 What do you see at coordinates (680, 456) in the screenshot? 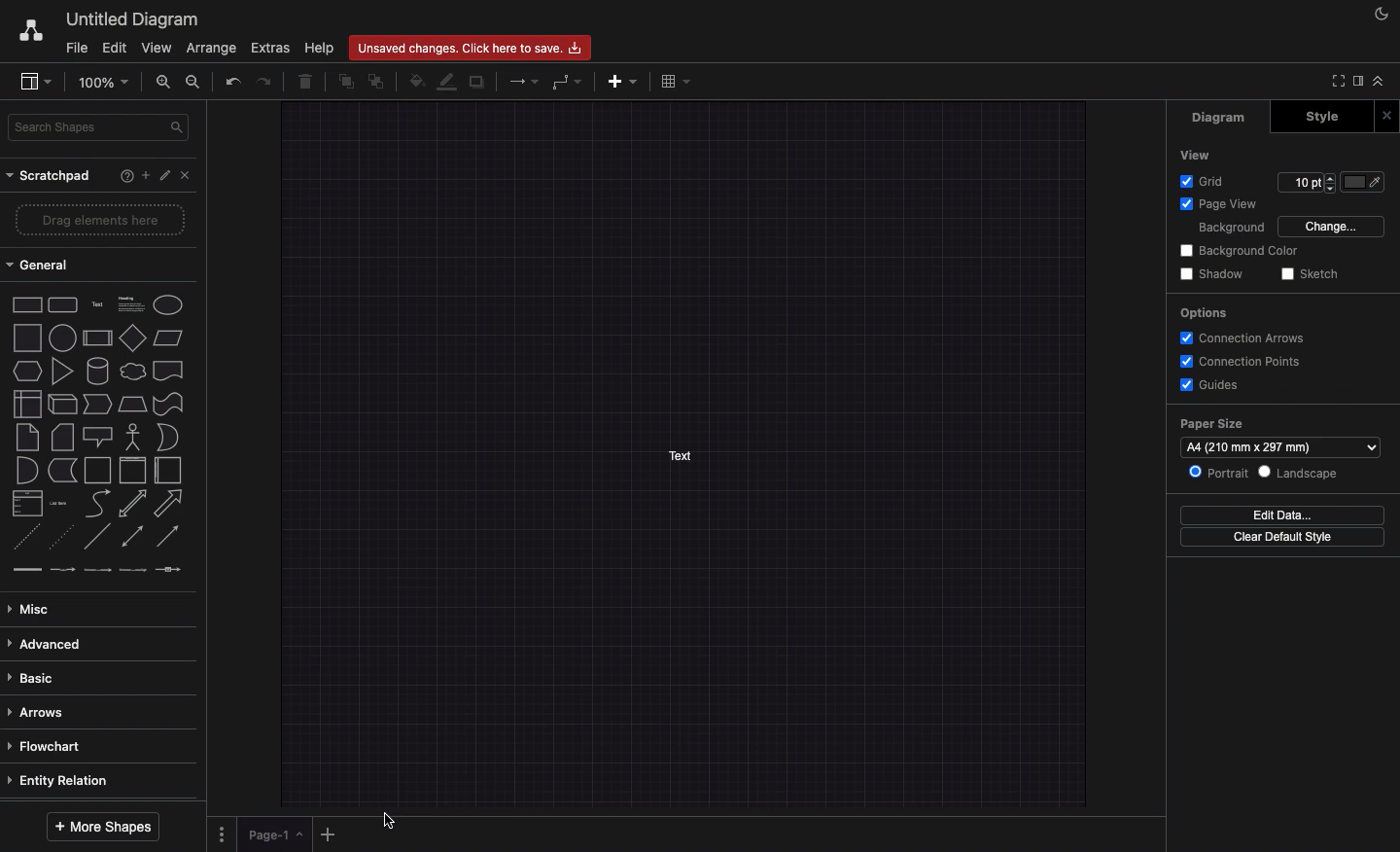
I see `Text` at bounding box center [680, 456].